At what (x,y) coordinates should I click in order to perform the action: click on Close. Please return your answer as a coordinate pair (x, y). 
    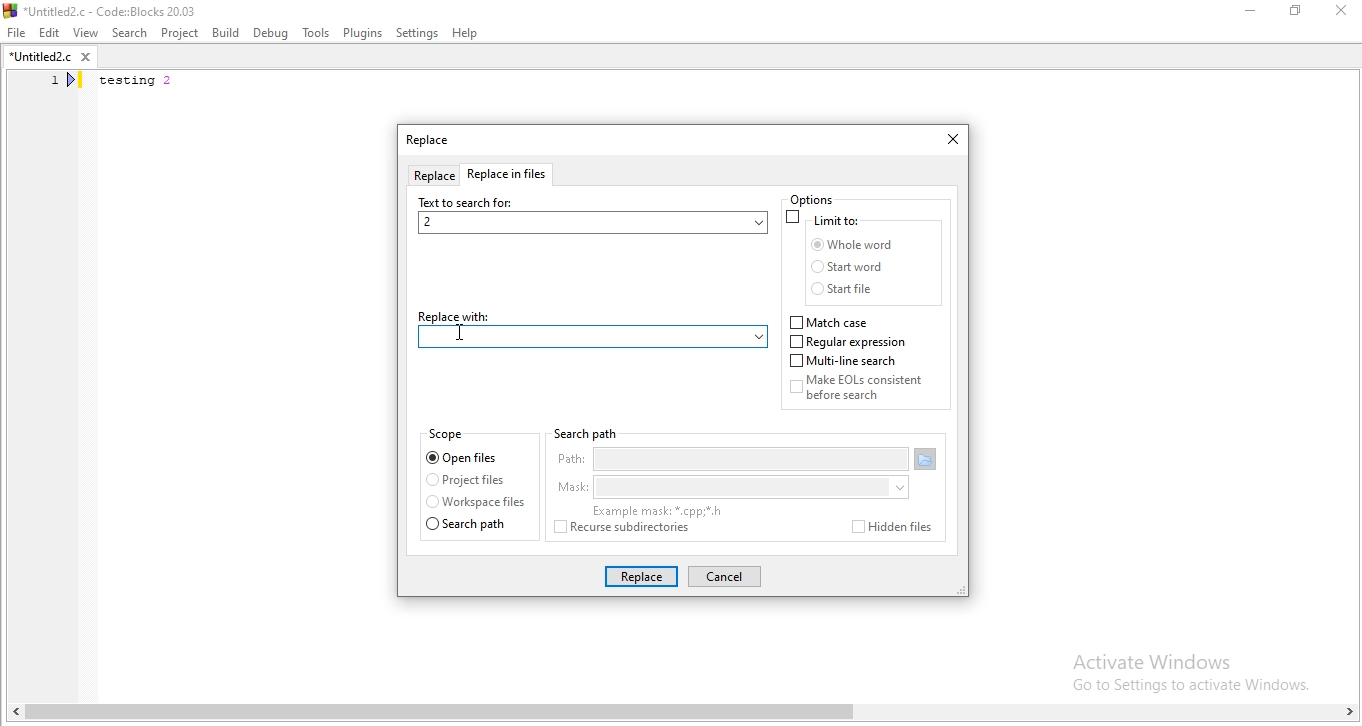
    Looking at the image, I should click on (1343, 12).